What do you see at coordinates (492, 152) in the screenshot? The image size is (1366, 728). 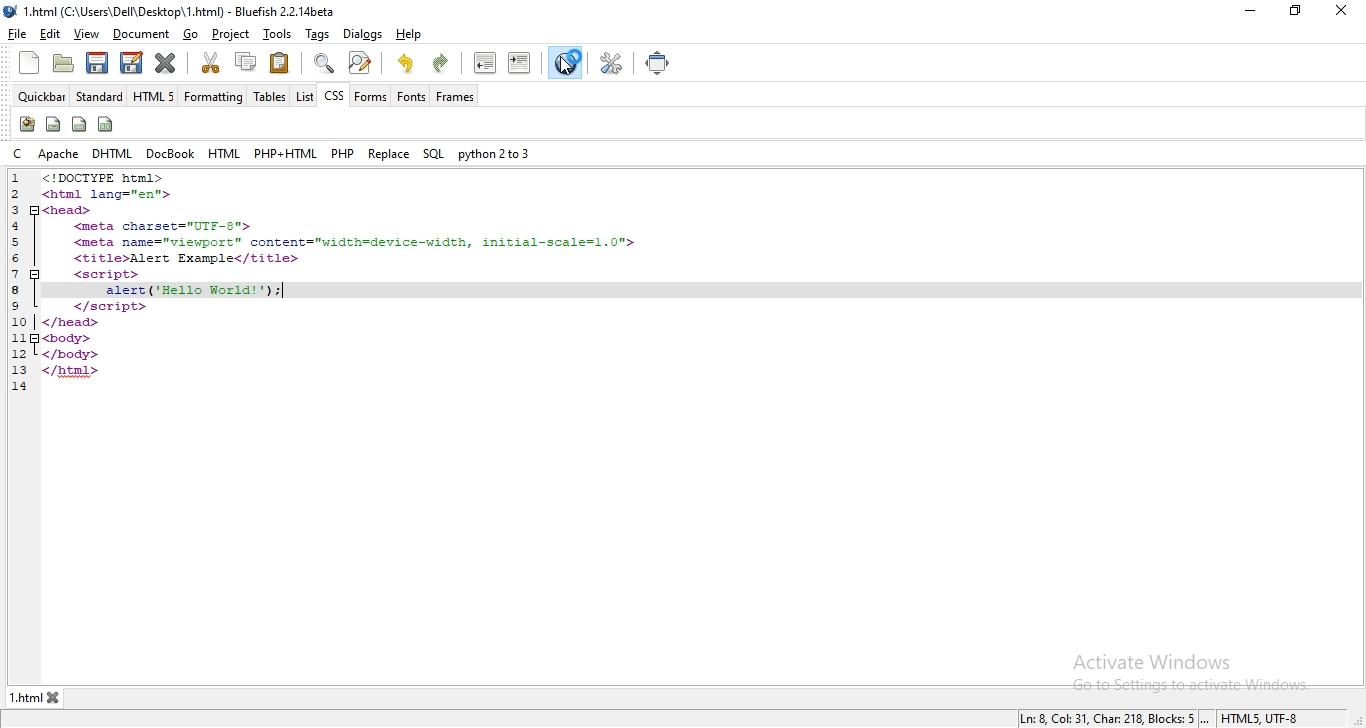 I see `python 2 to 3` at bounding box center [492, 152].